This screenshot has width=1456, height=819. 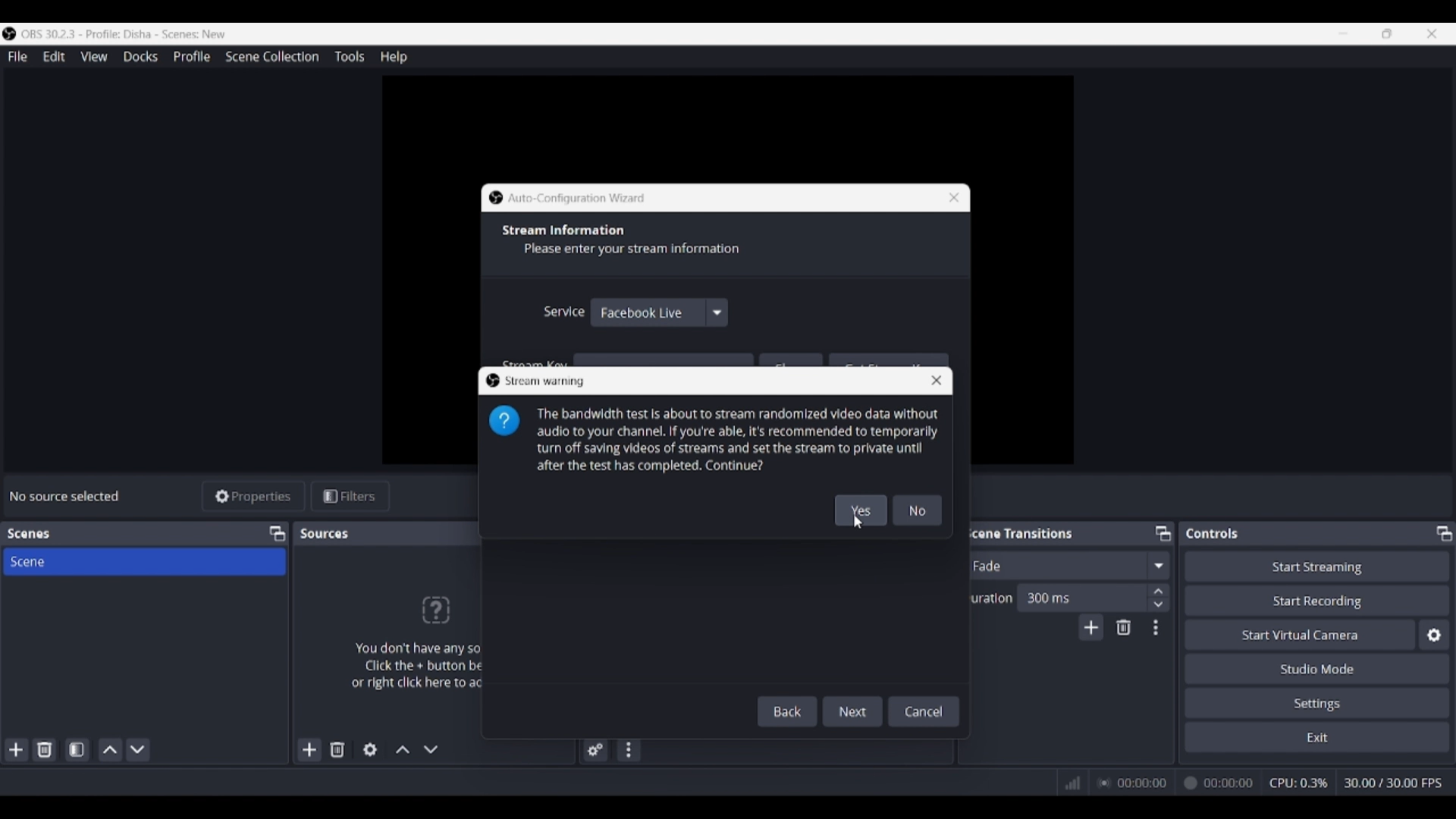 What do you see at coordinates (715, 440) in the screenshot?
I see `Window description and logo` at bounding box center [715, 440].